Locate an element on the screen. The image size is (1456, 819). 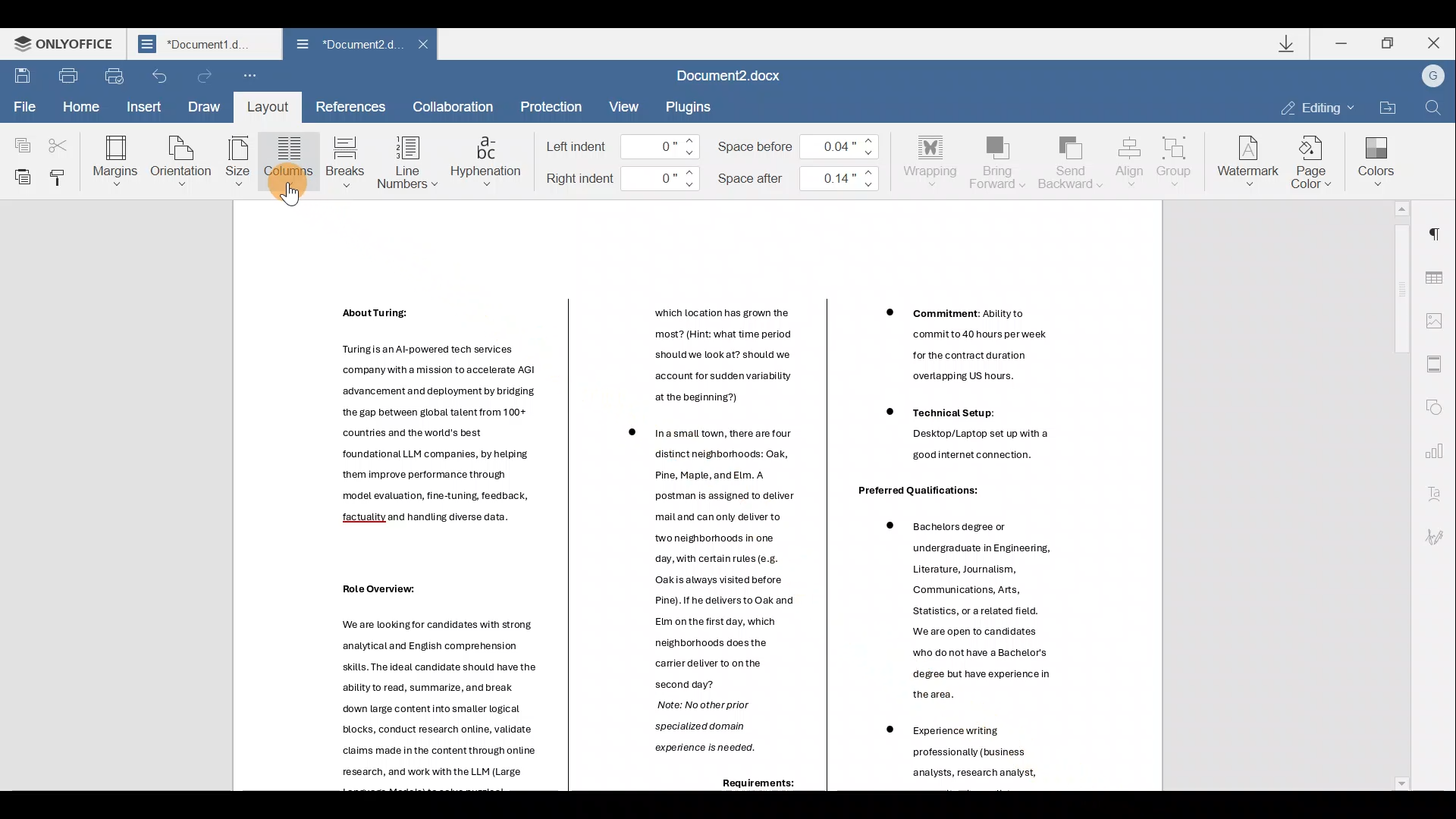
Breaks is located at coordinates (344, 162).